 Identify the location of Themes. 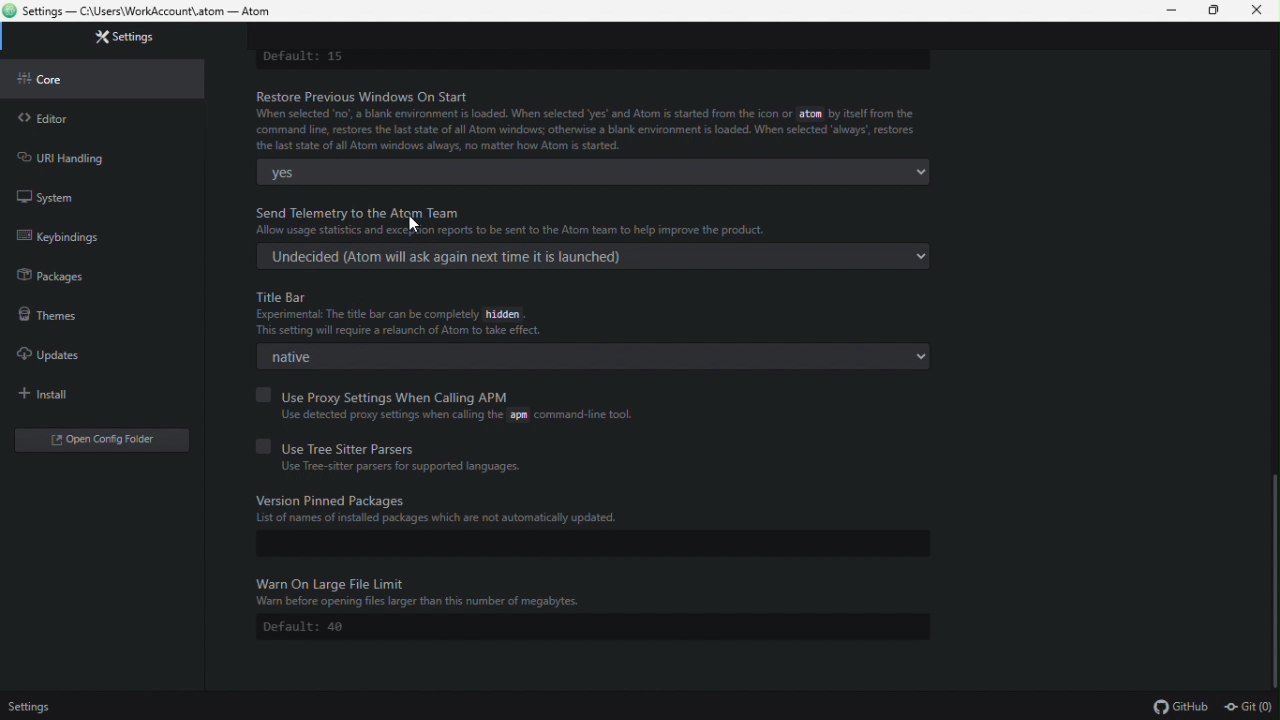
(64, 319).